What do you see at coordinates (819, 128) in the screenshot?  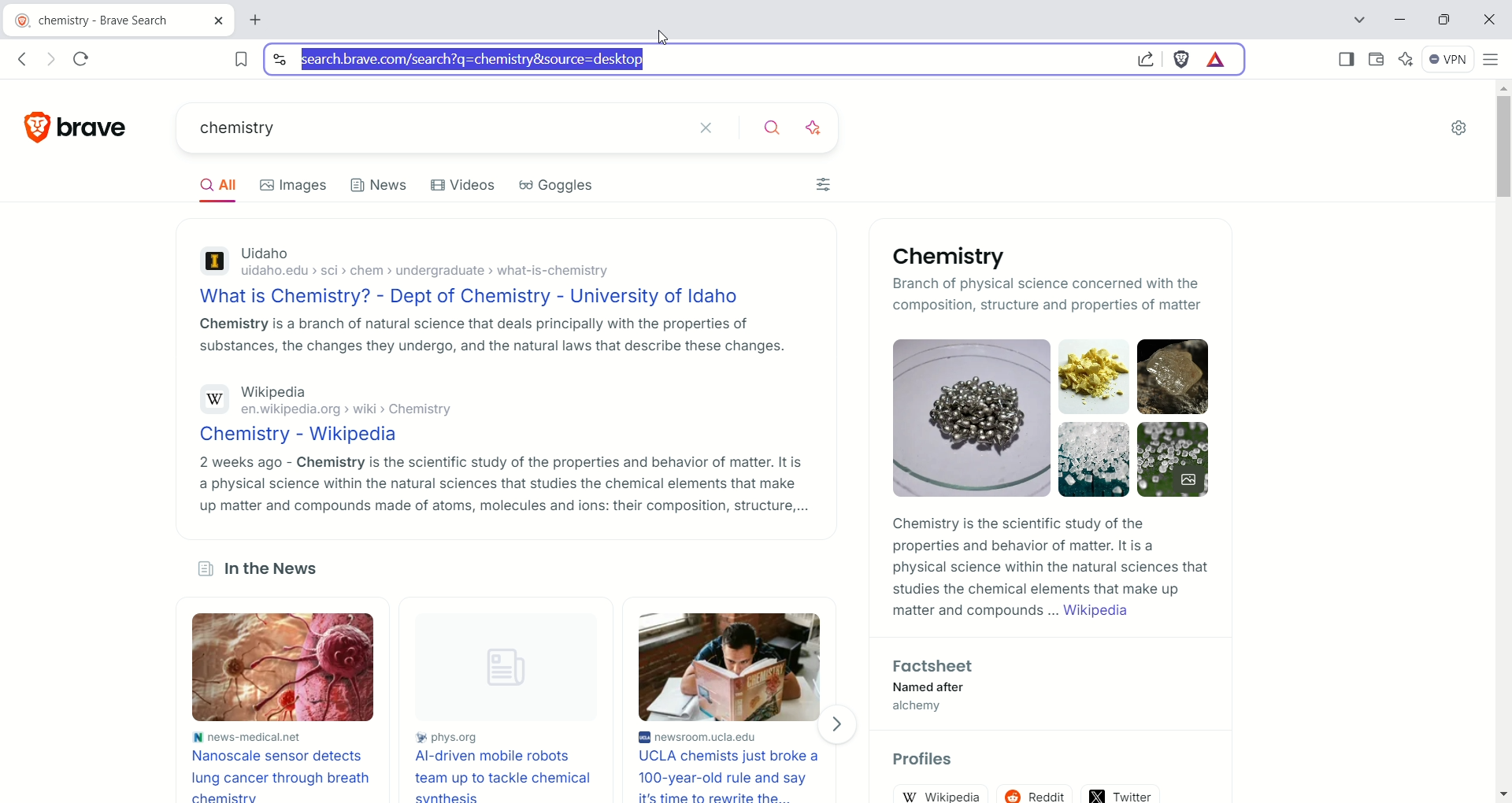 I see `leo AI` at bounding box center [819, 128].